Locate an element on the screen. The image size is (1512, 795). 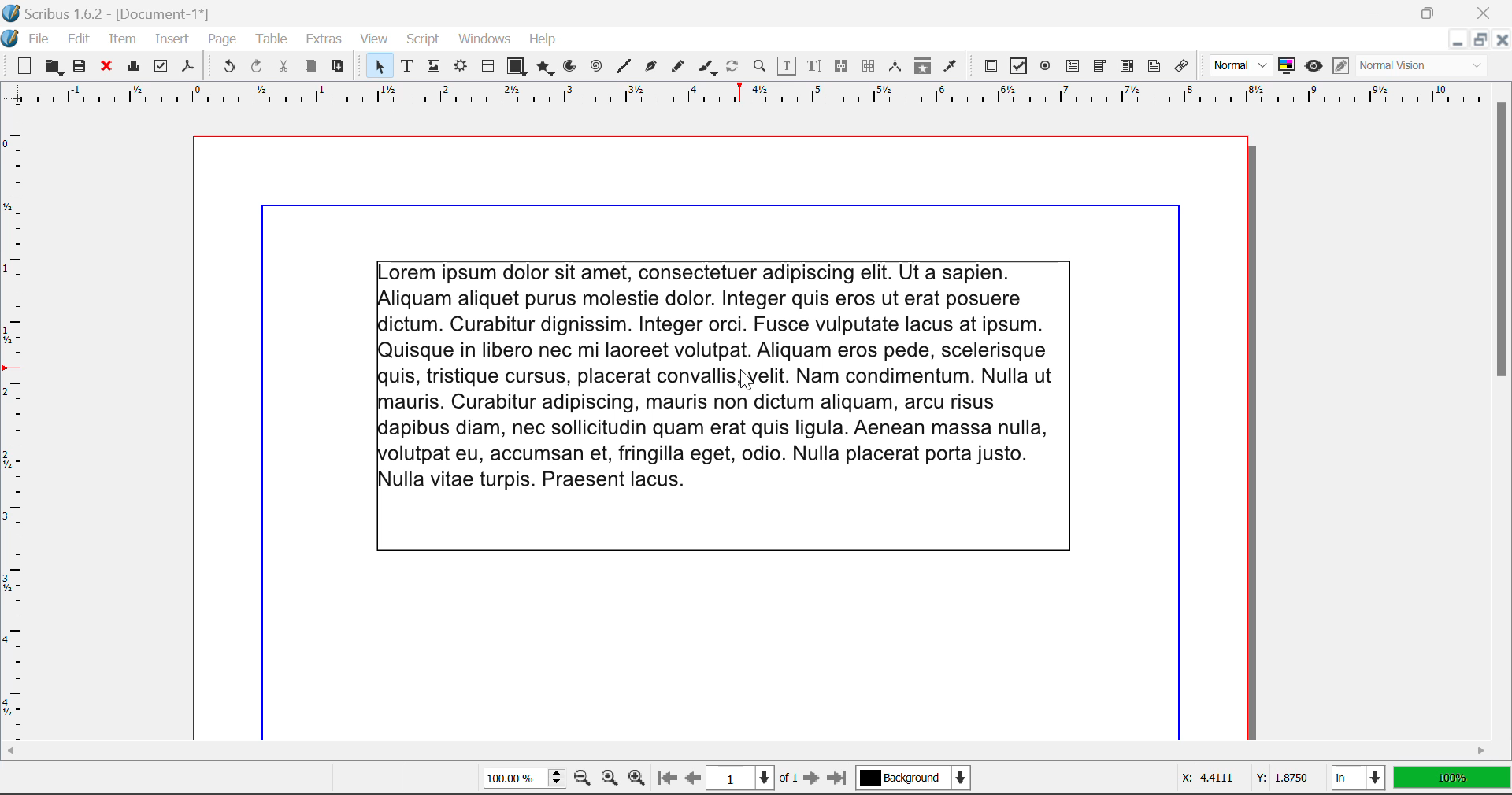
Cut is located at coordinates (283, 67).